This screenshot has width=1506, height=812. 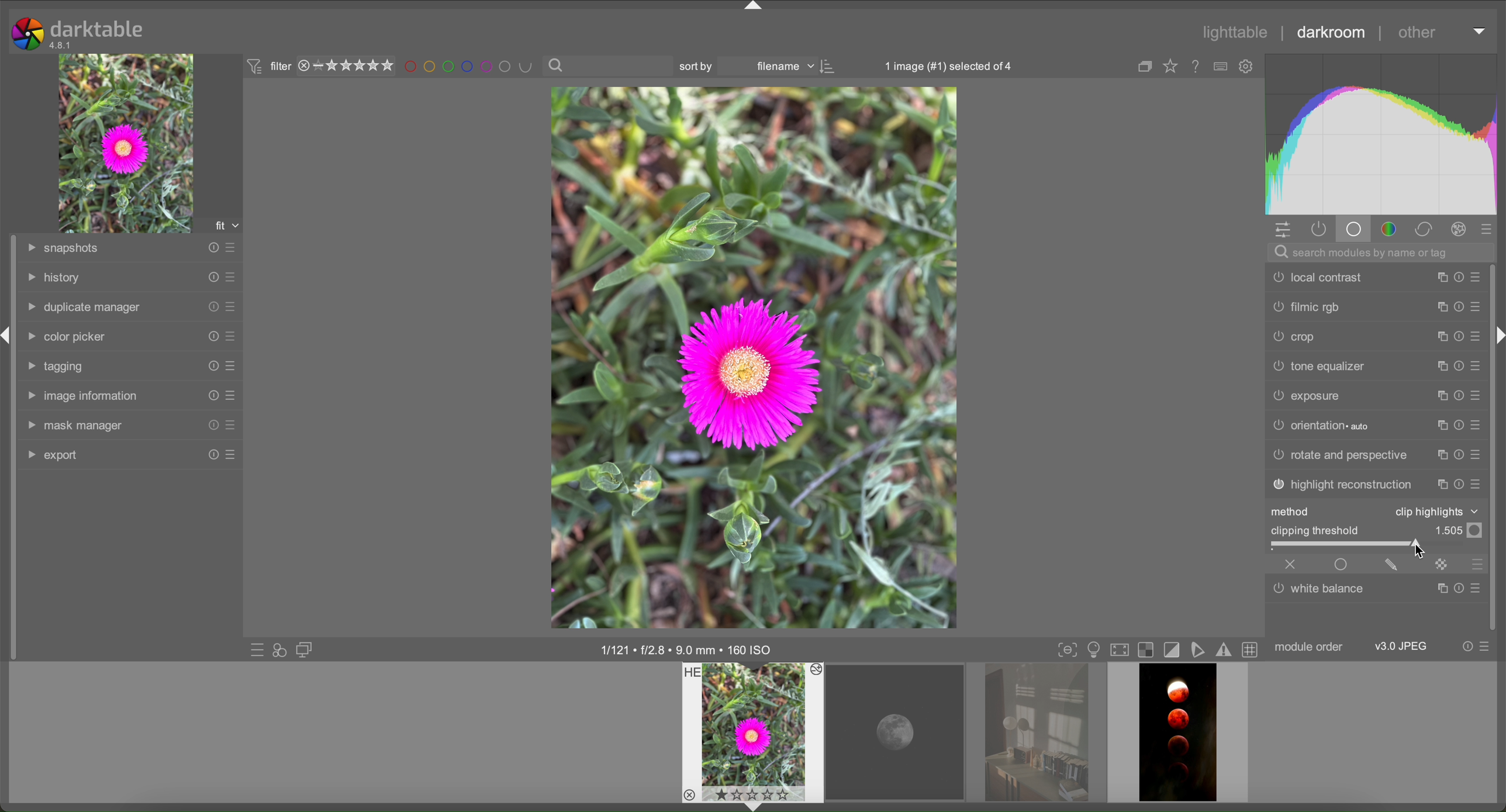 What do you see at coordinates (1477, 307) in the screenshot?
I see `presets` at bounding box center [1477, 307].